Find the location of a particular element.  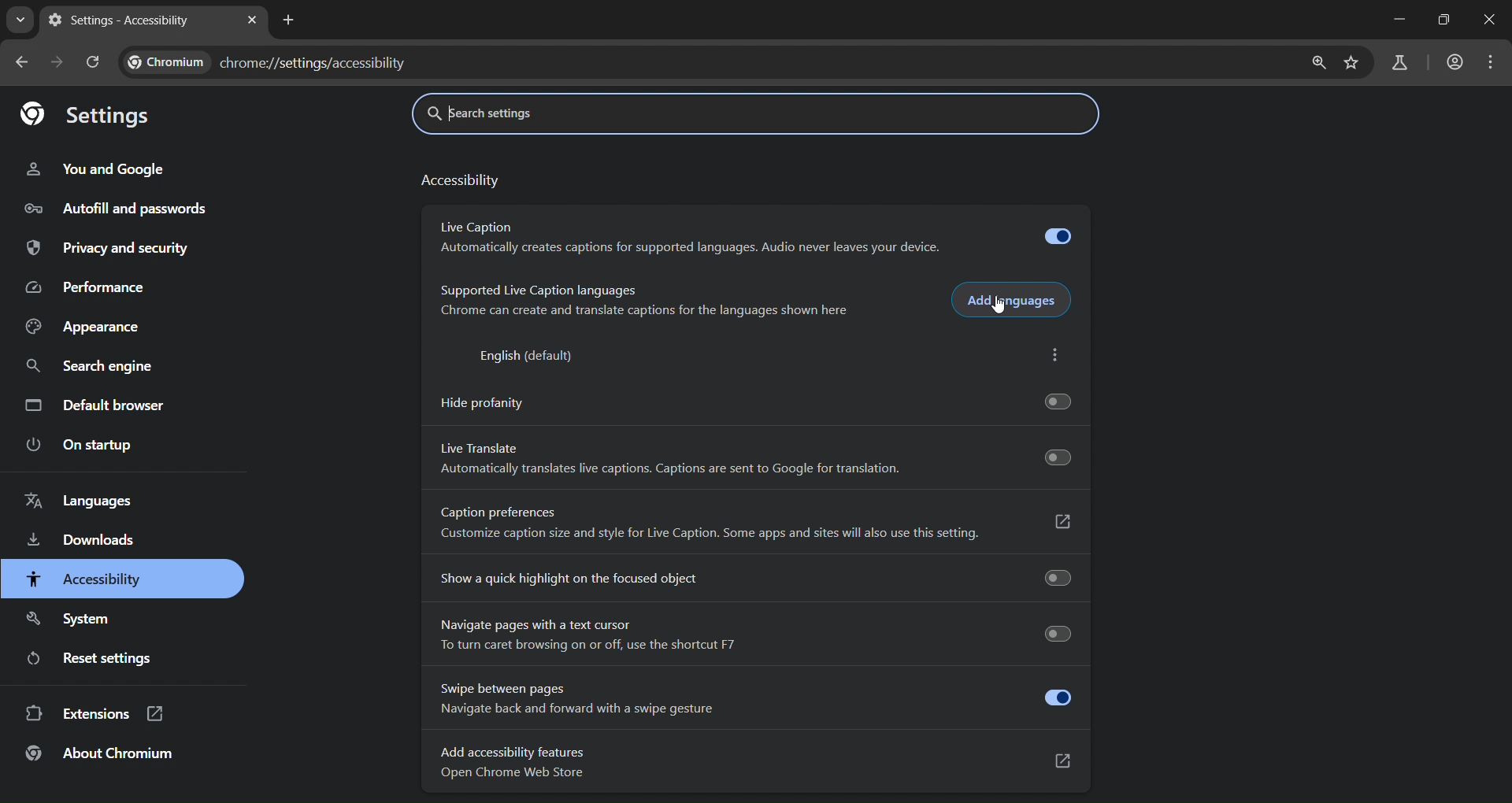

system is located at coordinates (72, 620).